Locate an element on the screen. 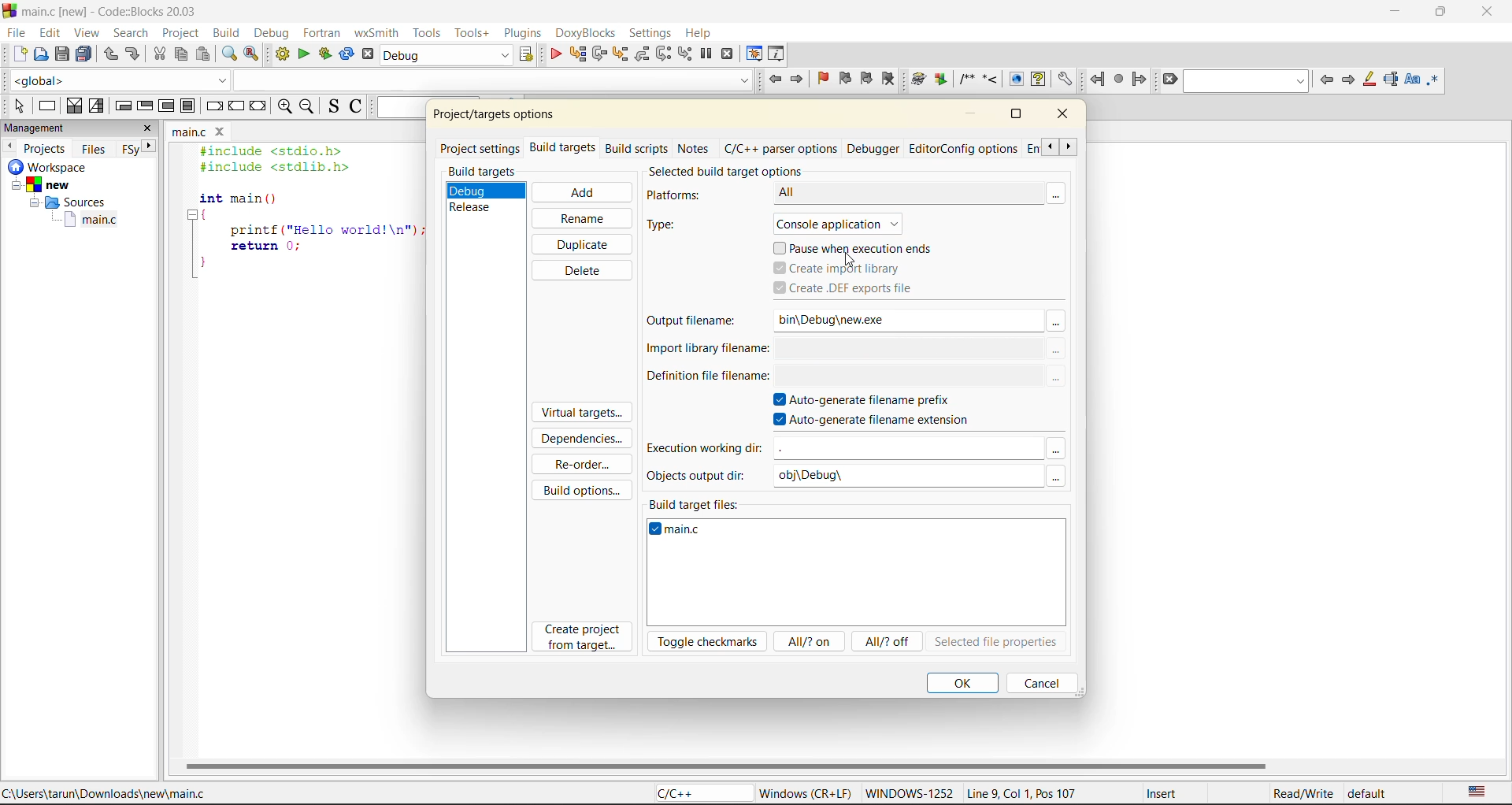  find is located at coordinates (230, 54).